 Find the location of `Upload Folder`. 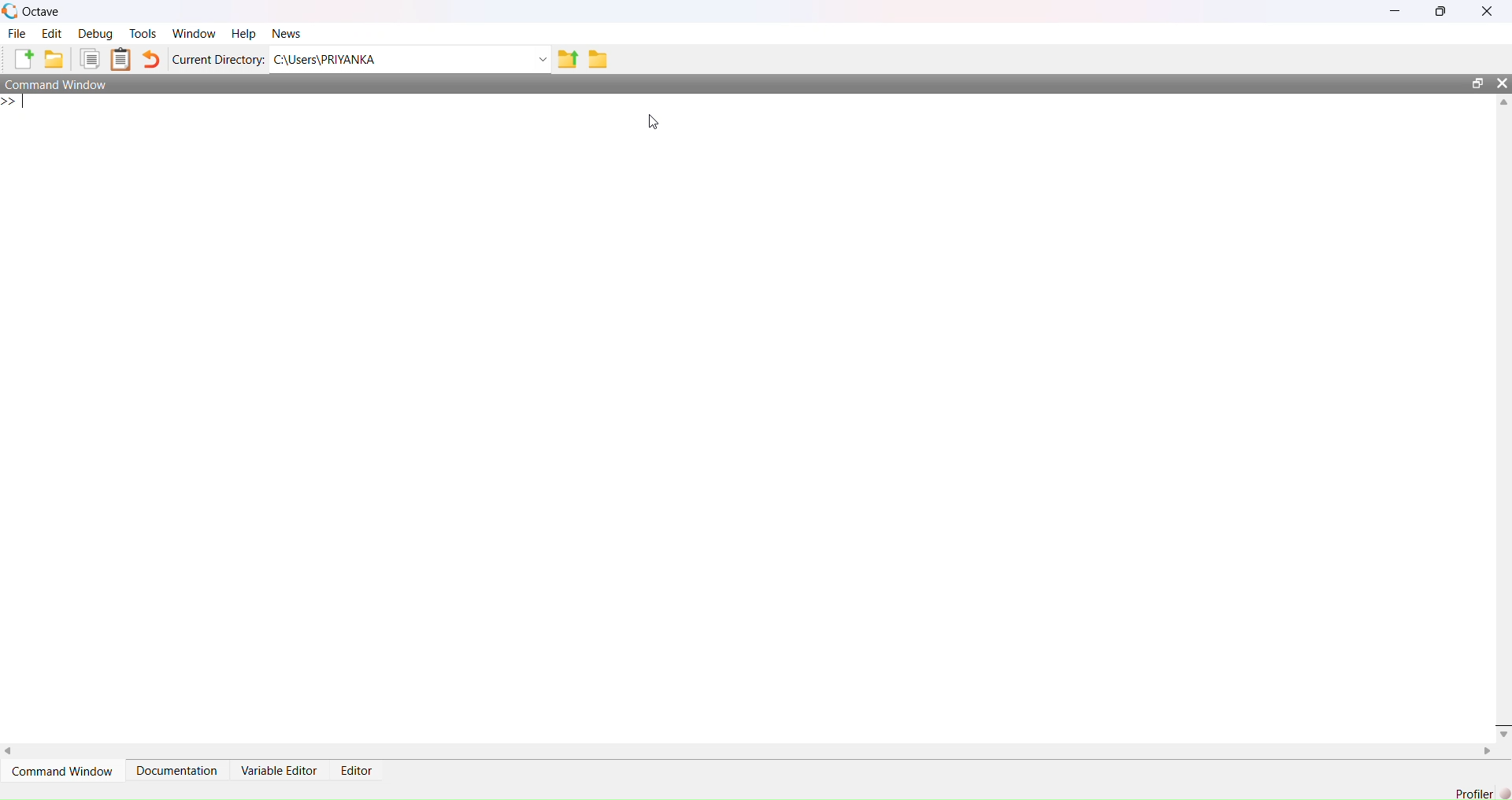

Upload Folder is located at coordinates (567, 59).